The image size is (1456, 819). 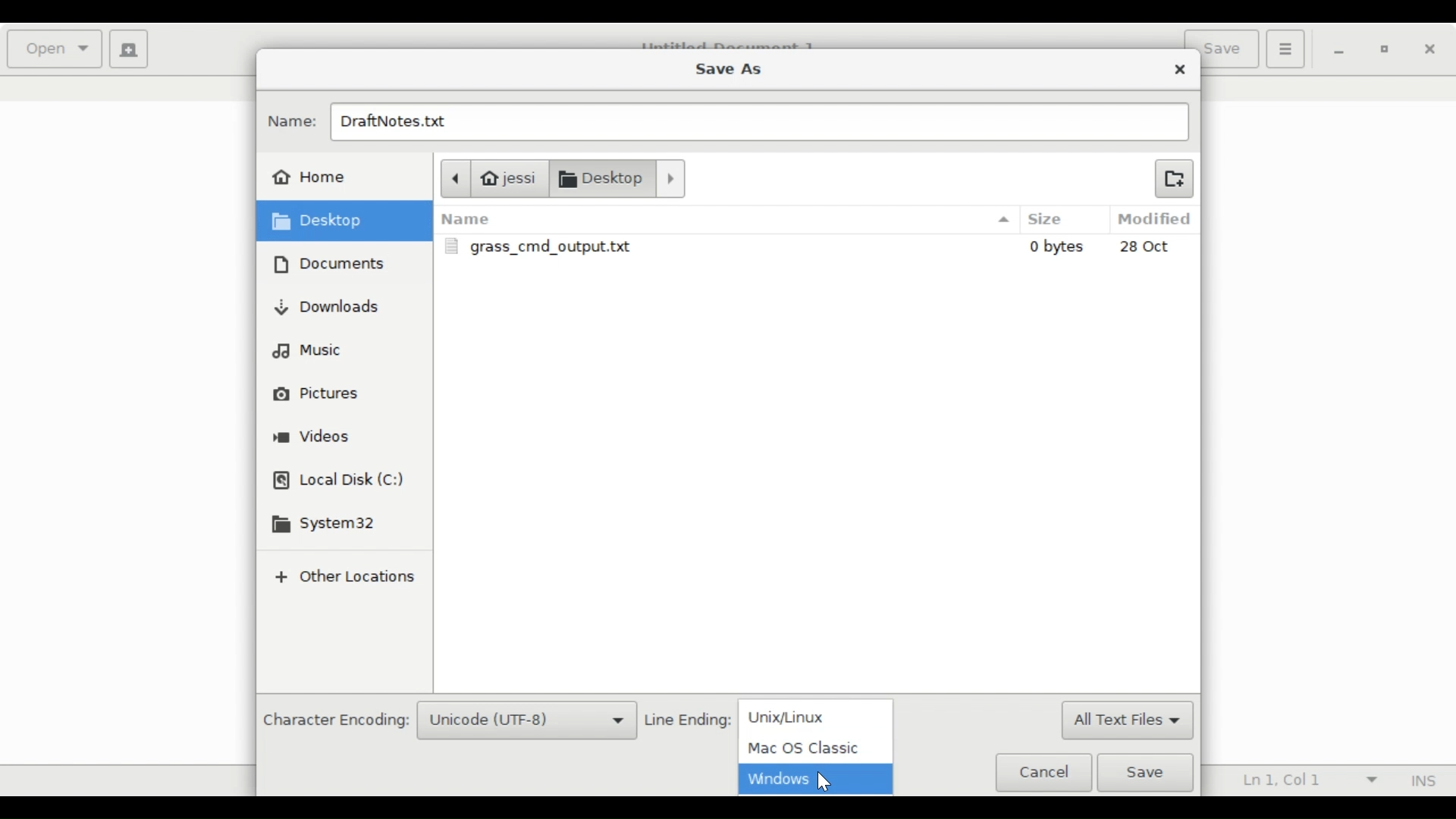 I want to click on Other locations, so click(x=343, y=579).